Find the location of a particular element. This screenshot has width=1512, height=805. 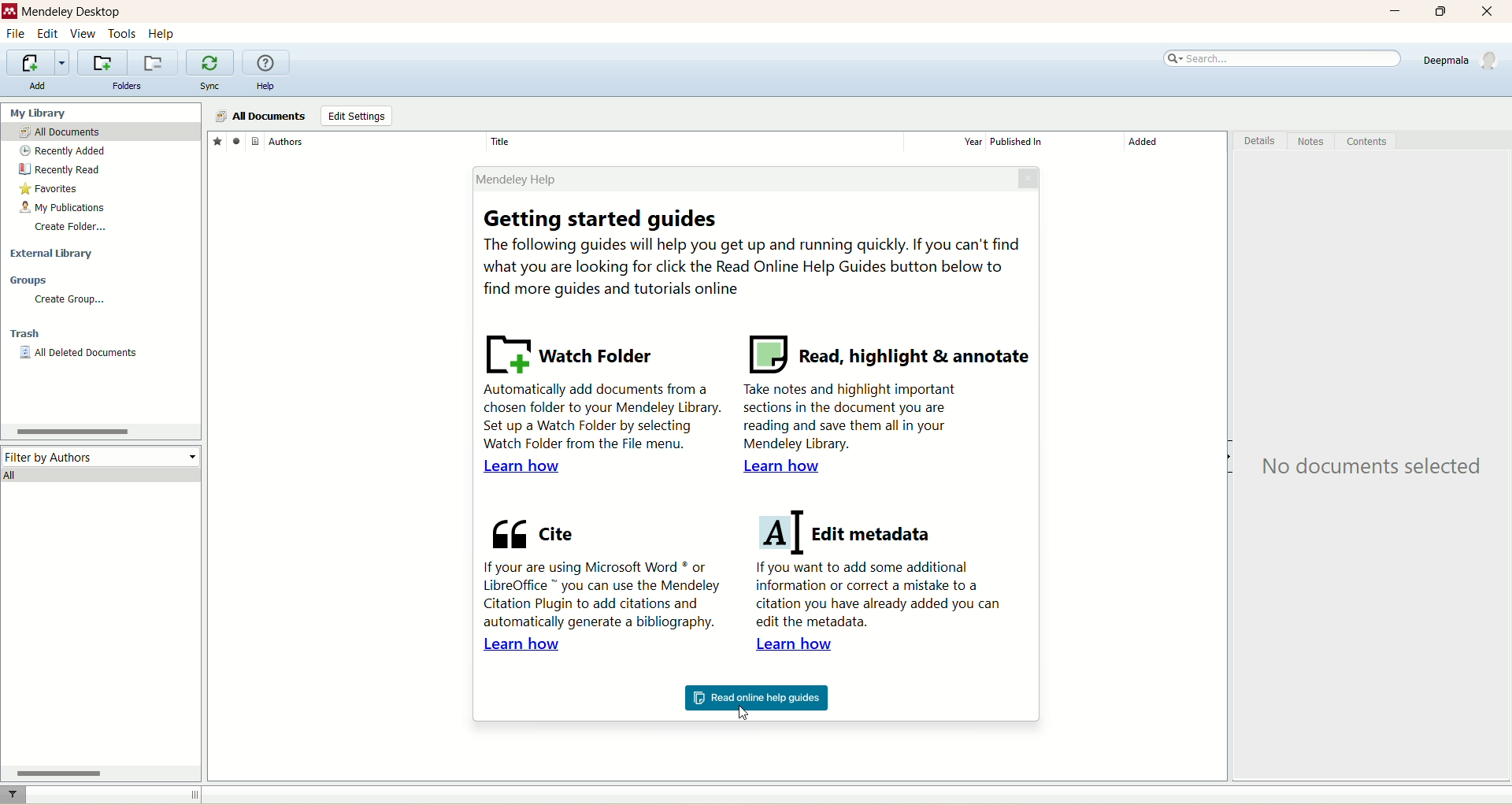

read/unread is located at coordinates (235, 139).